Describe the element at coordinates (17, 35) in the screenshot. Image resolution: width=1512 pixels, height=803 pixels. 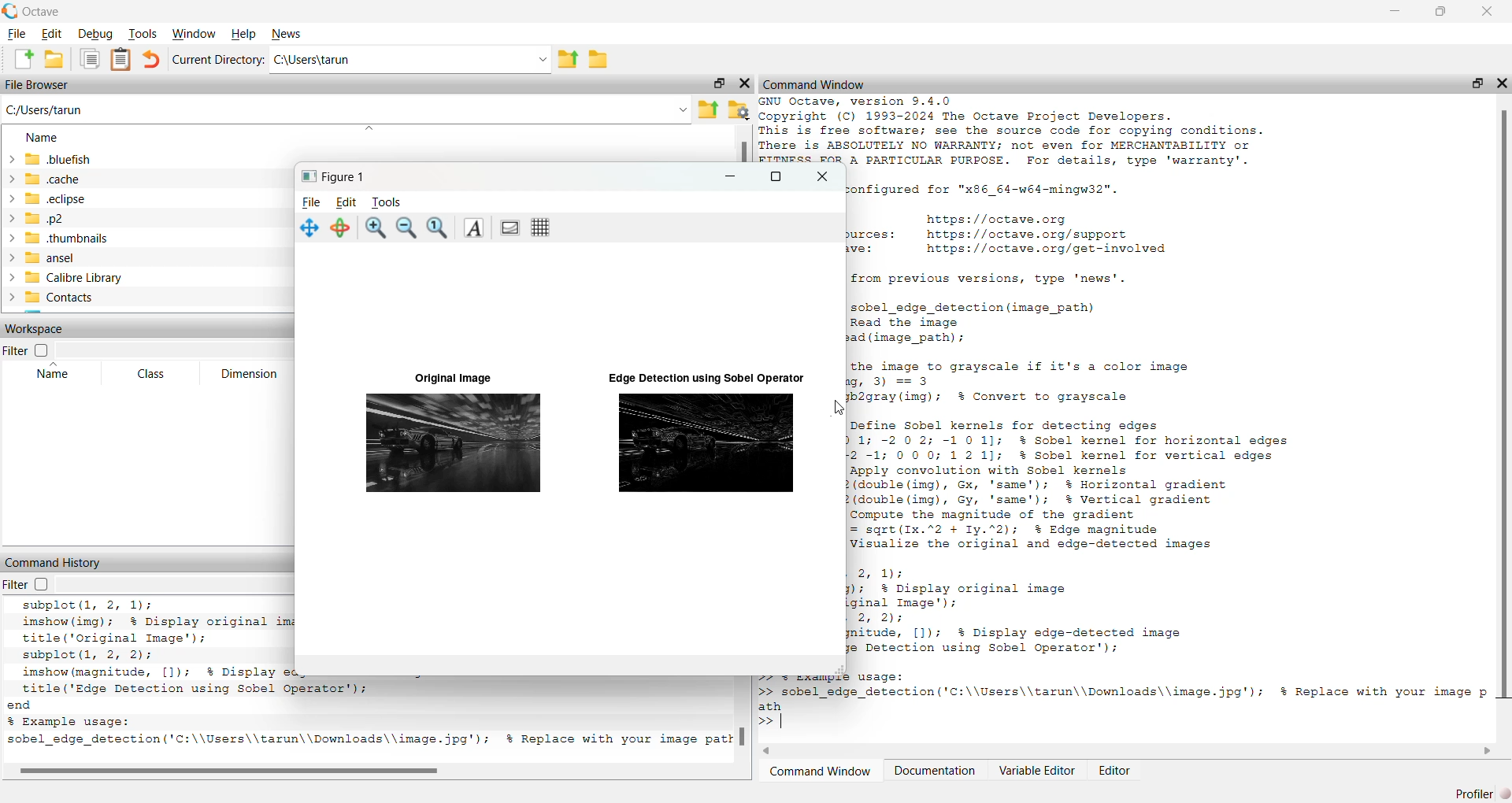
I see `File` at that location.